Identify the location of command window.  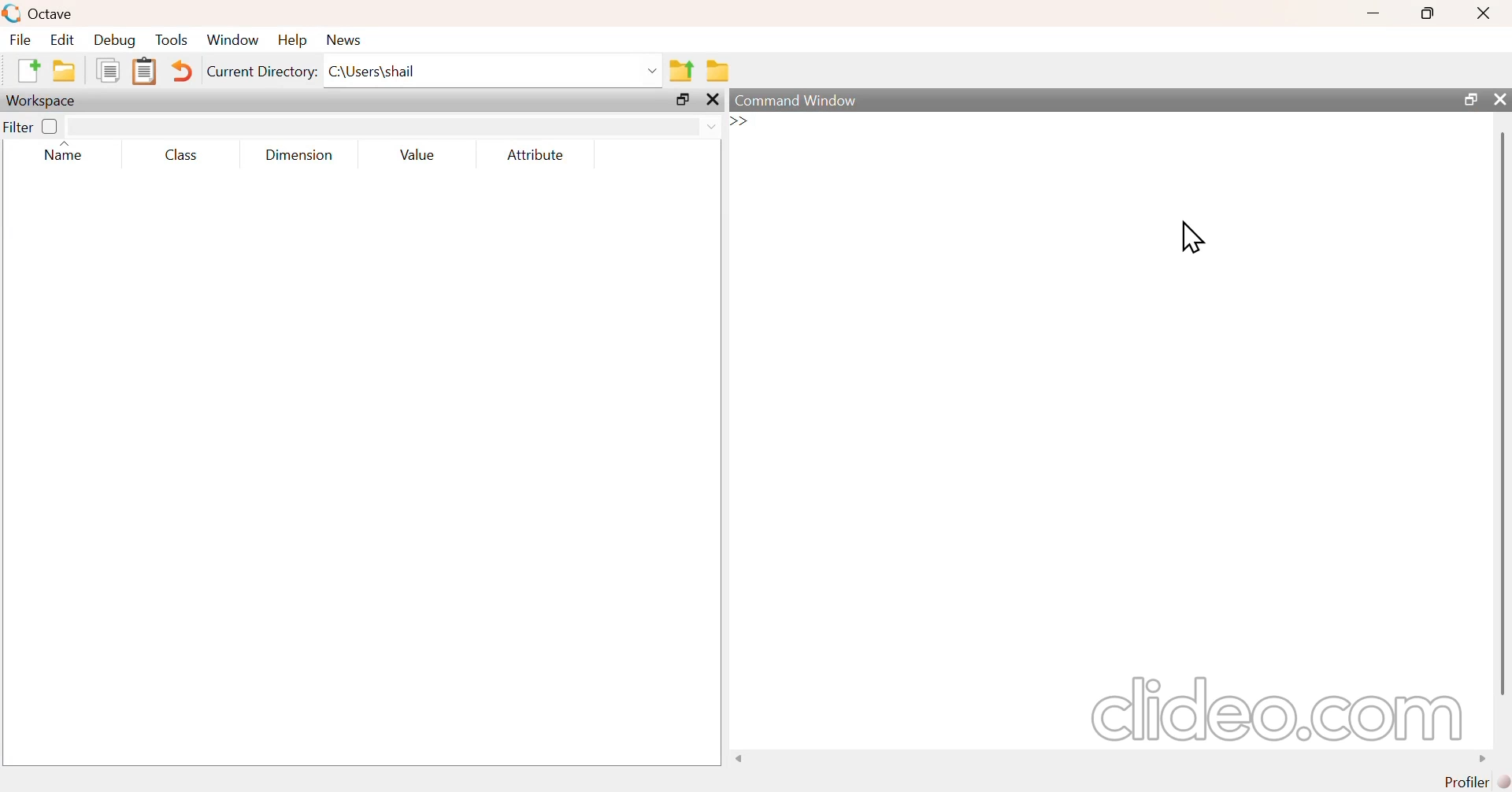
(799, 101).